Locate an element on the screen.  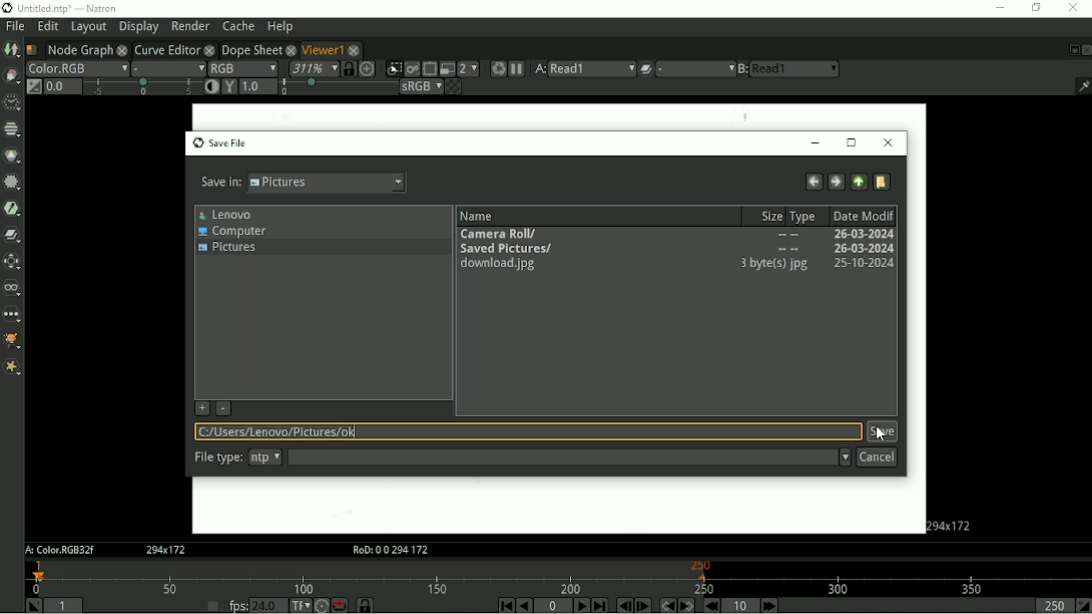
Next increment is located at coordinates (769, 606).